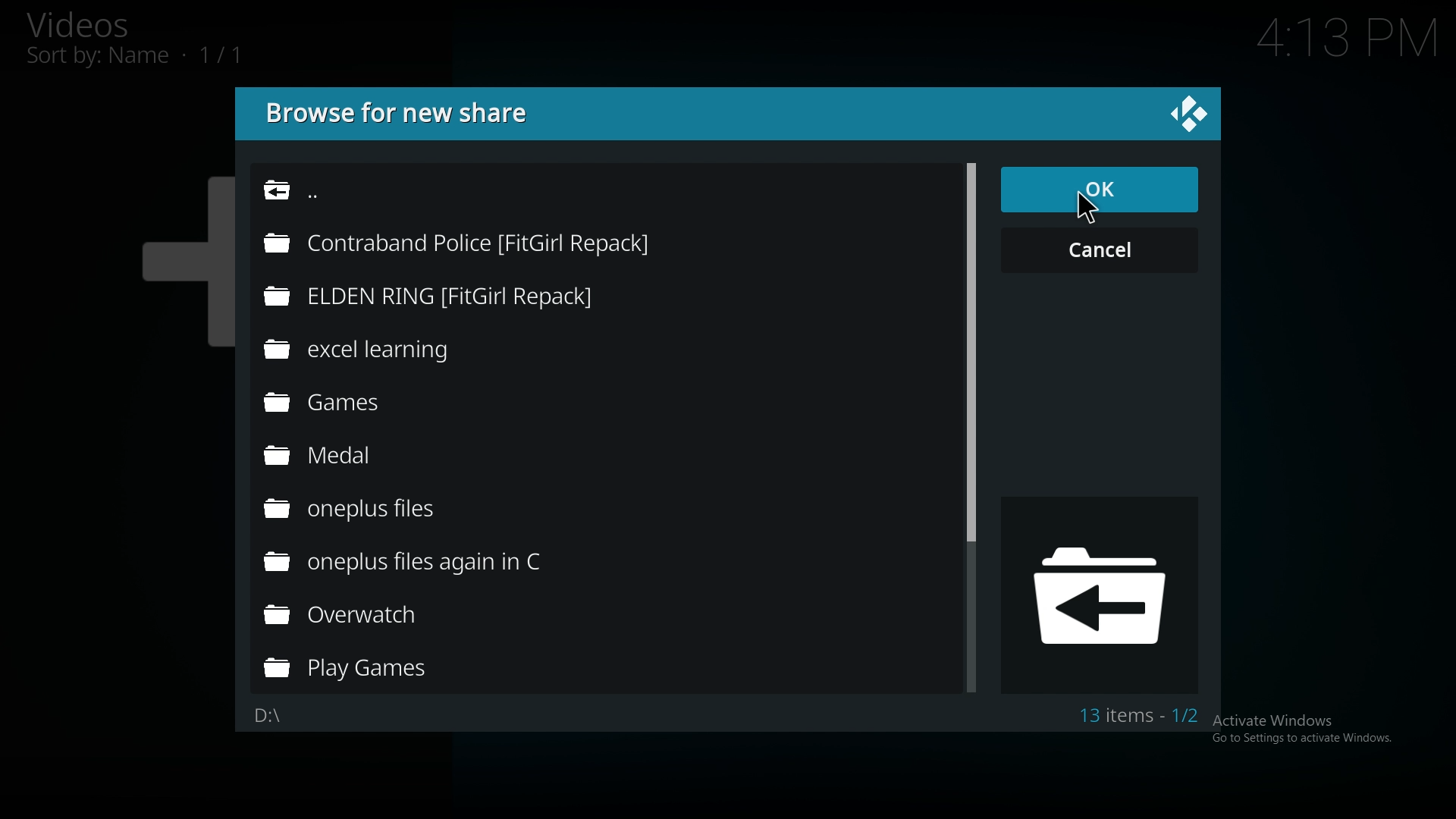  What do you see at coordinates (466, 295) in the screenshot?
I see `folder` at bounding box center [466, 295].